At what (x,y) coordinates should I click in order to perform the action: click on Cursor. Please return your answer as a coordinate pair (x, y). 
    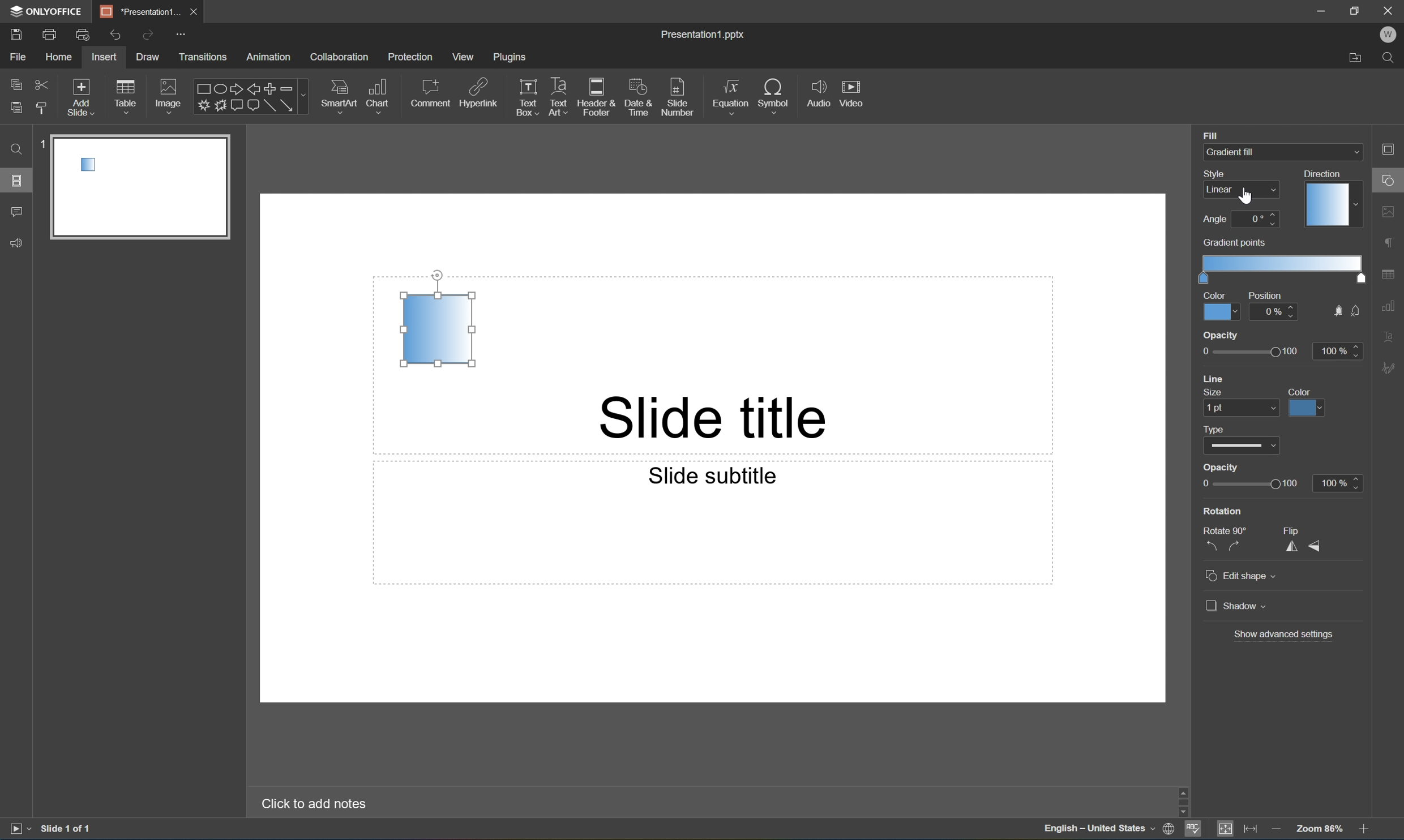
    Looking at the image, I should click on (1245, 196).